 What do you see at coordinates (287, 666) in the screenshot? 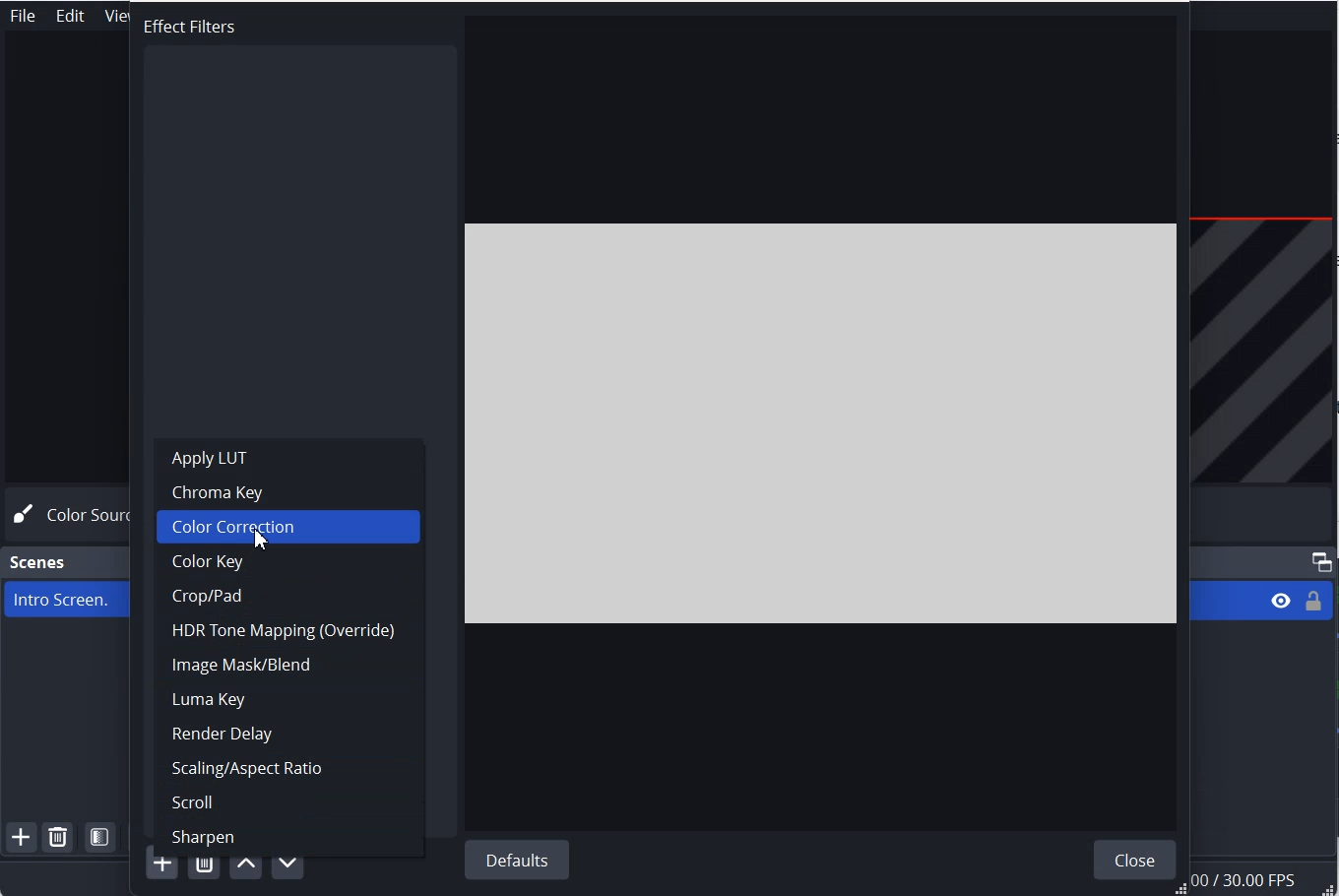
I see `Image mask/Blend` at bounding box center [287, 666].